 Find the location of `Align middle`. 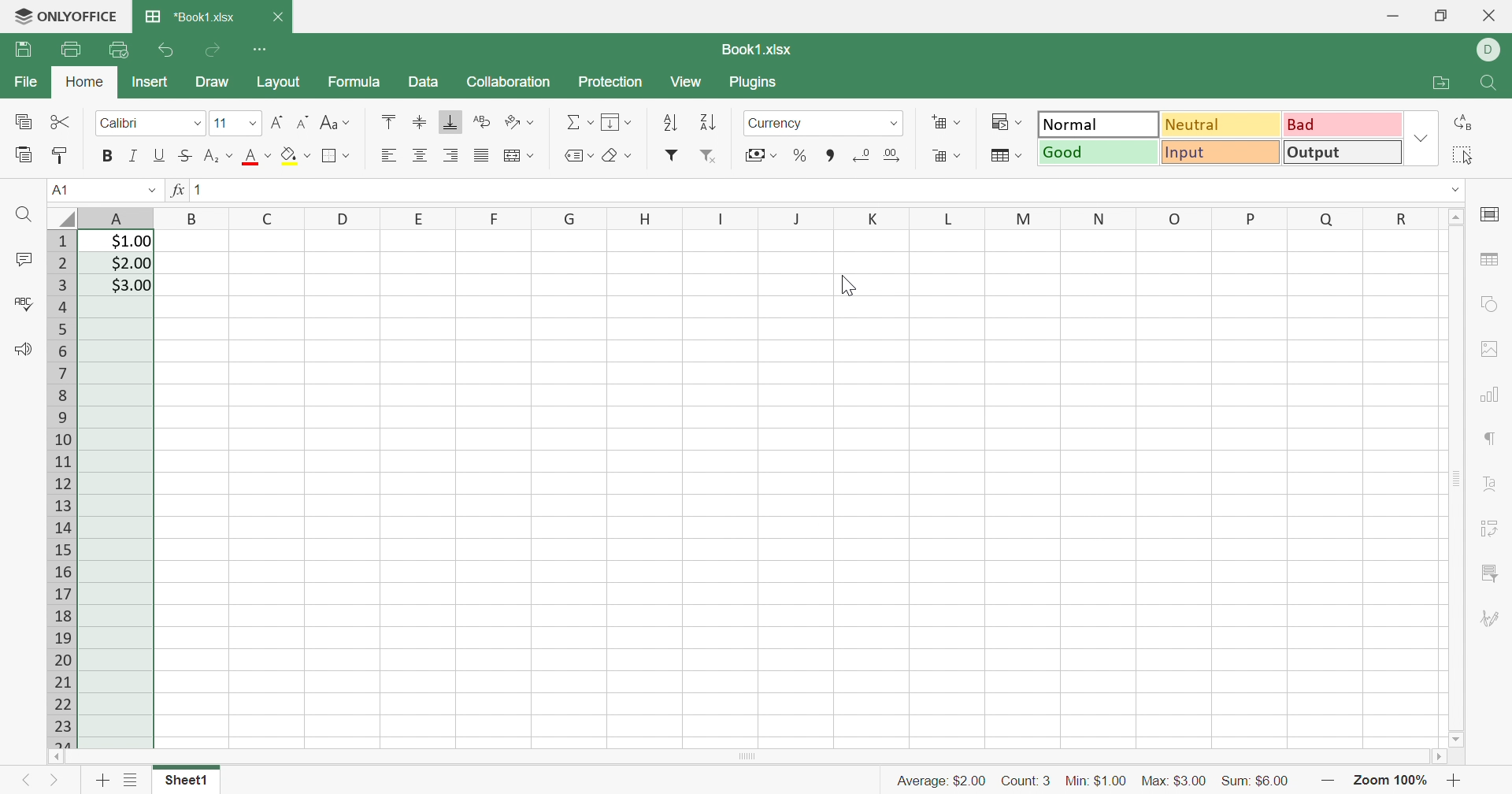

Align middle is located at coordinates (419, 121).